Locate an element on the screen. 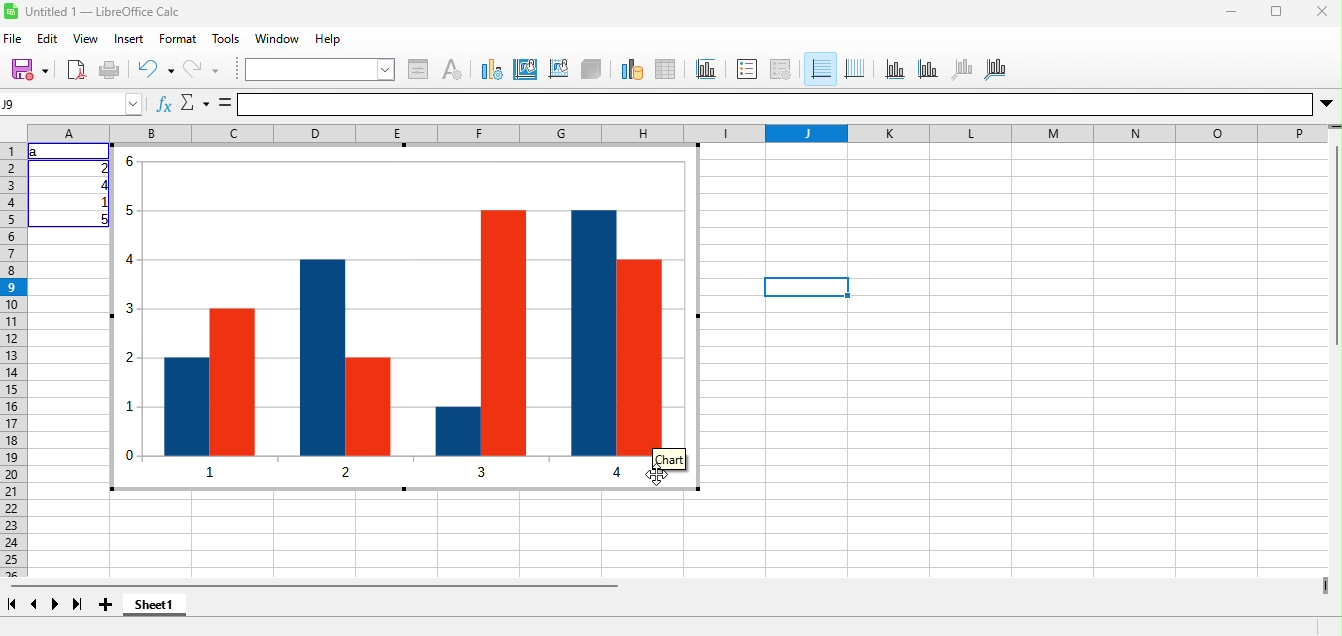 This screenshot has width=1342, height=636. redo is located at coordinates (204, 71).